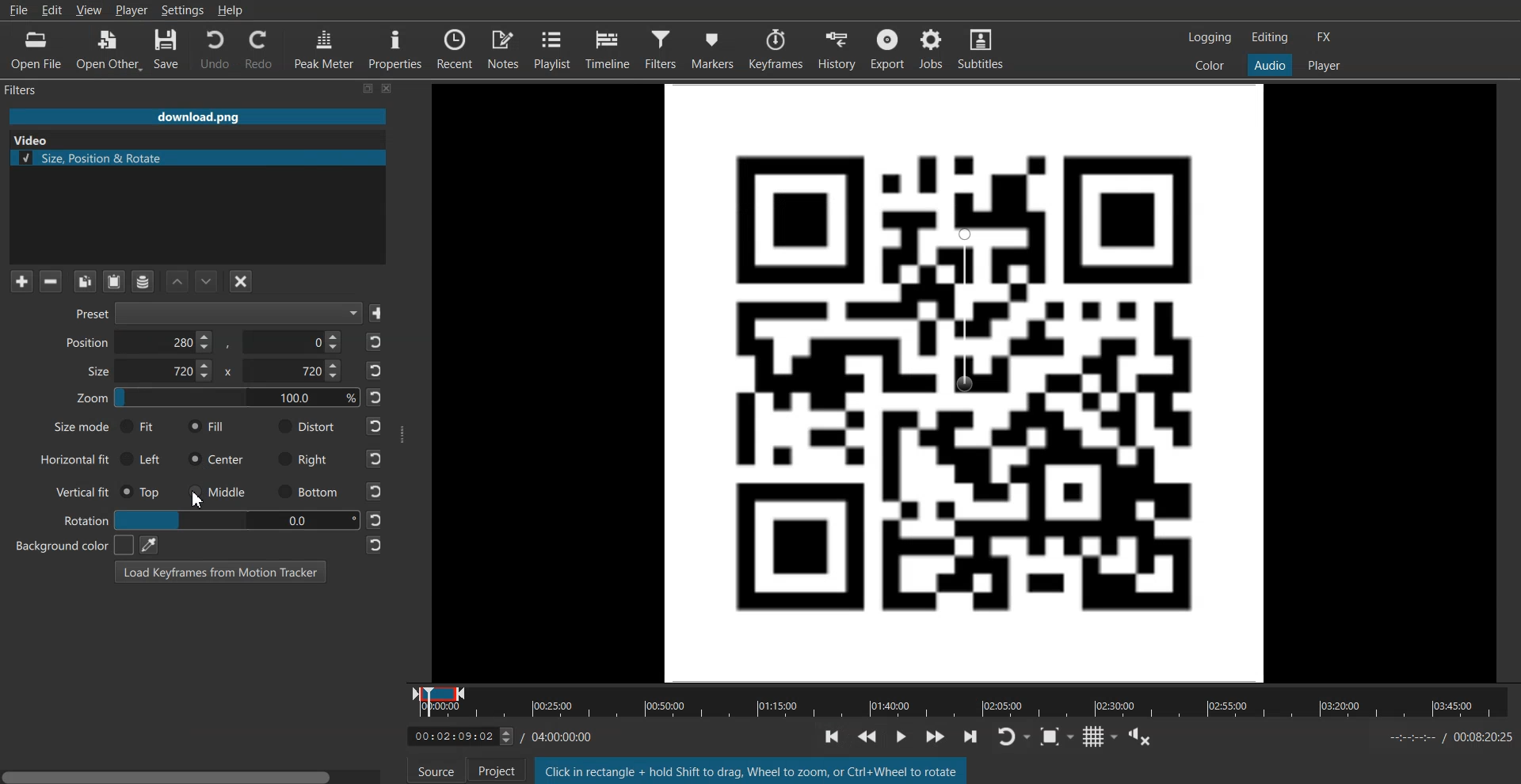  I want to click on Center, so click(215, 459).